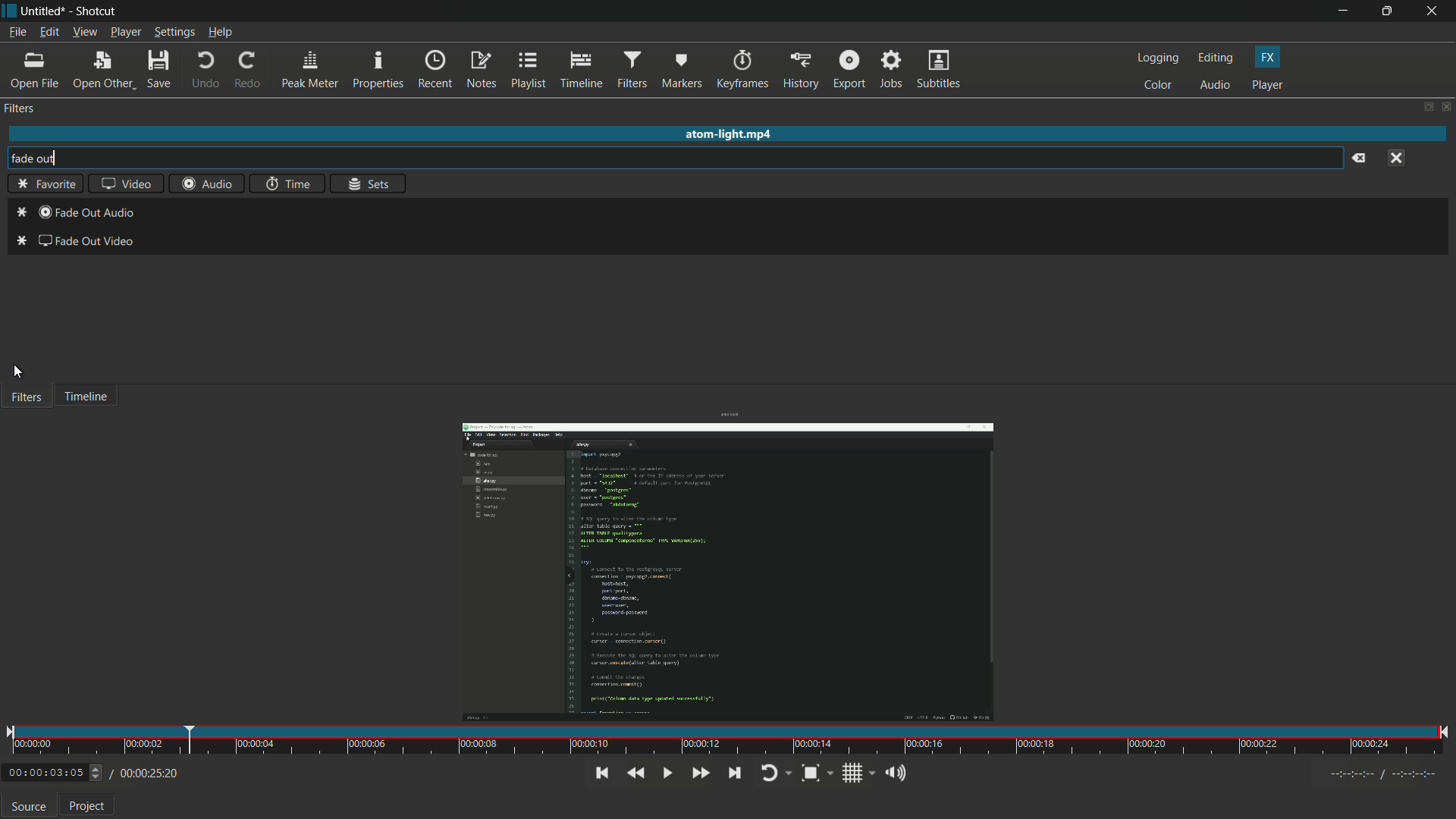  What do you see at coordinates (147, 773) in the screenshot?
I see `total time` at bounding box center [147, 773].